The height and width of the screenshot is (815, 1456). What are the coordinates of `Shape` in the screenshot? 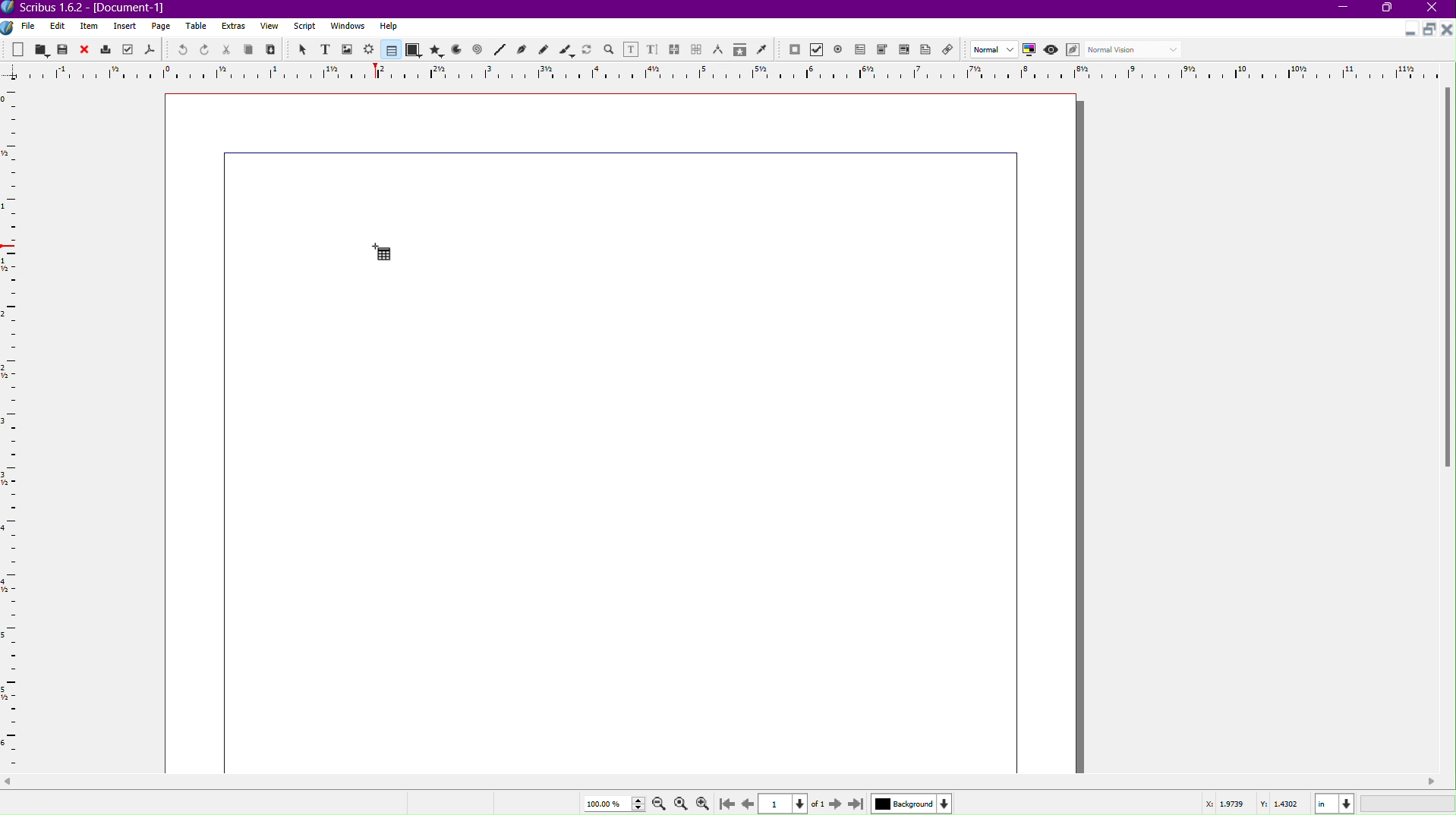 It's located at (414, 51).